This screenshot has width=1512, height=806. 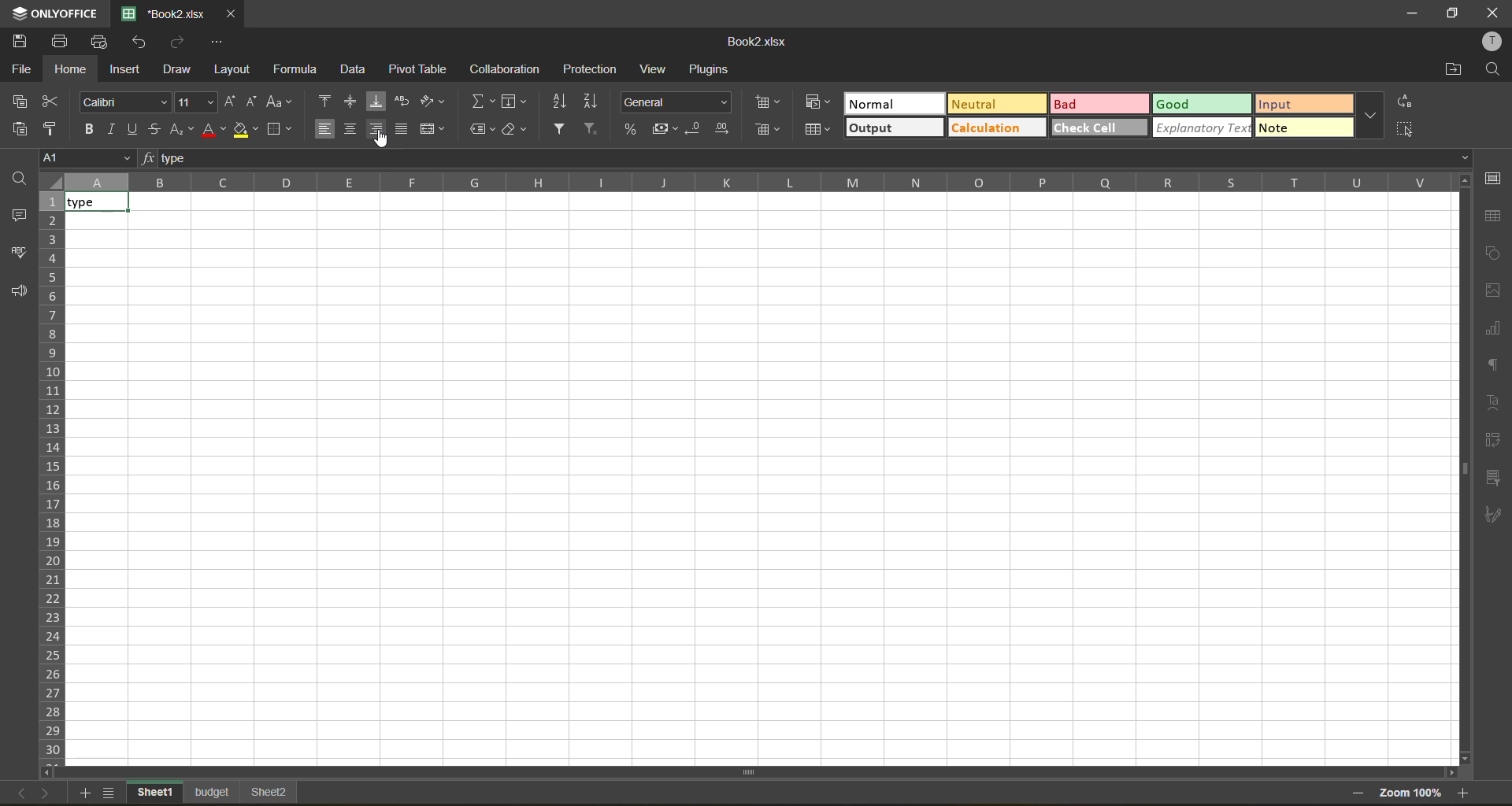 I want to click on move left, so click(x=50, y=773).